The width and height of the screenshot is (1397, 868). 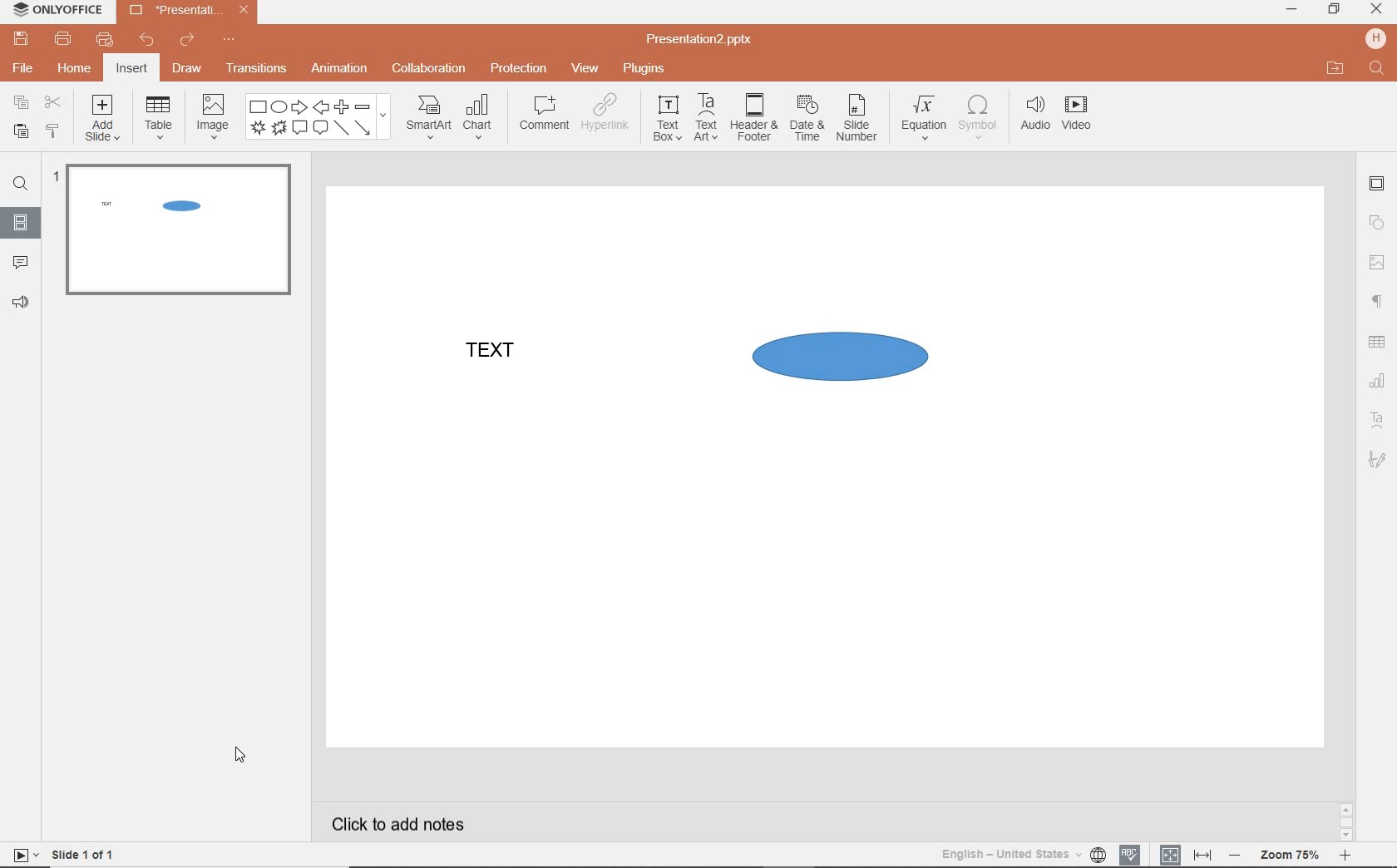 I want to click on symbol, so click(x=975, y=121).